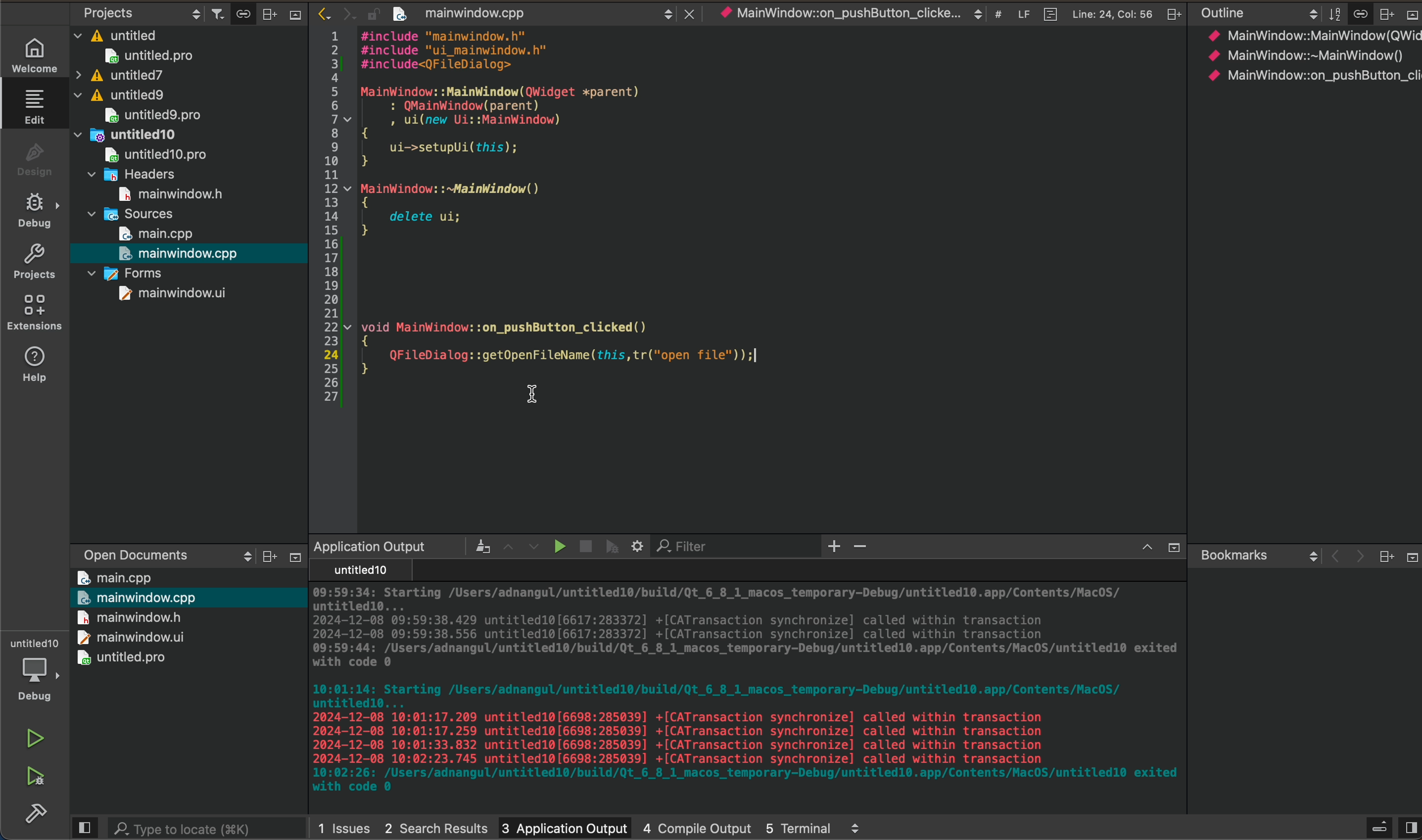 The height and width of the screenshot is (840, 1422). Describe the element at coordinates (325, 219) in the screenshot. I see `row number` at that location.